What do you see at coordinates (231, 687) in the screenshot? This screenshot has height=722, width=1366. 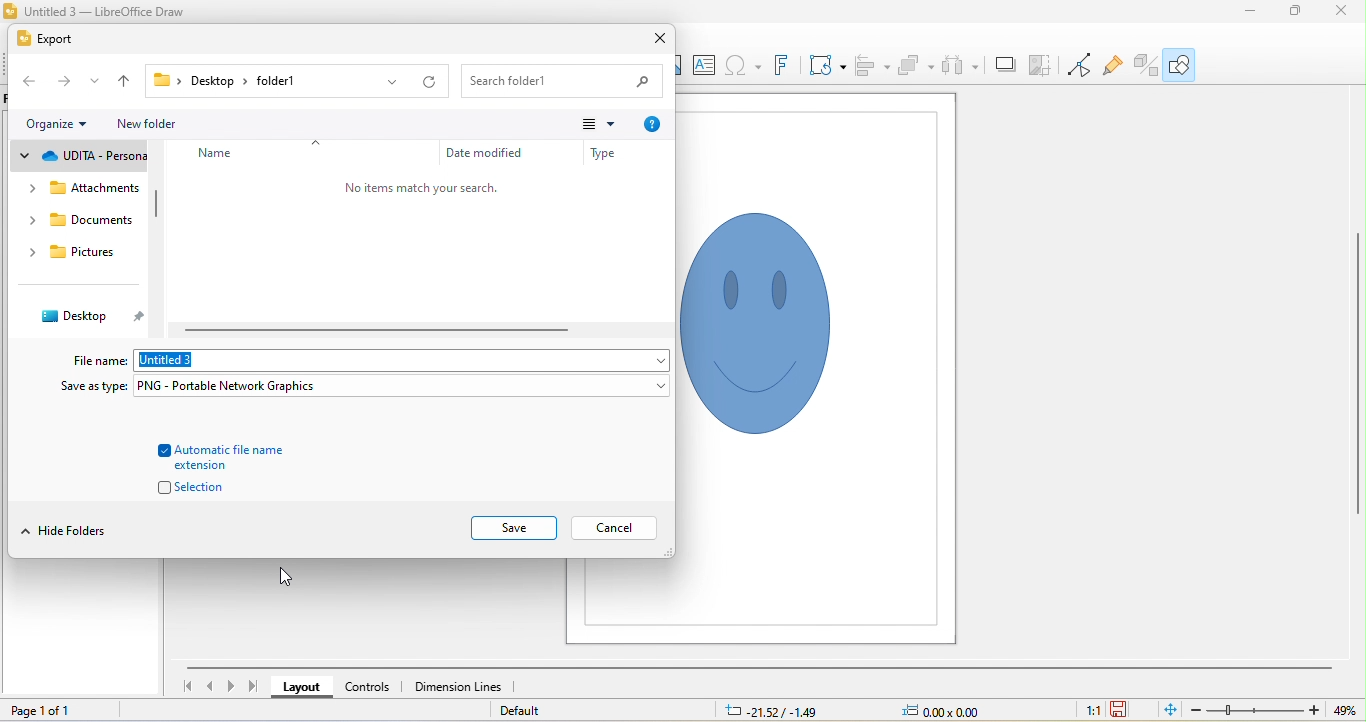 I see `next` at bounding box center [231, 687].